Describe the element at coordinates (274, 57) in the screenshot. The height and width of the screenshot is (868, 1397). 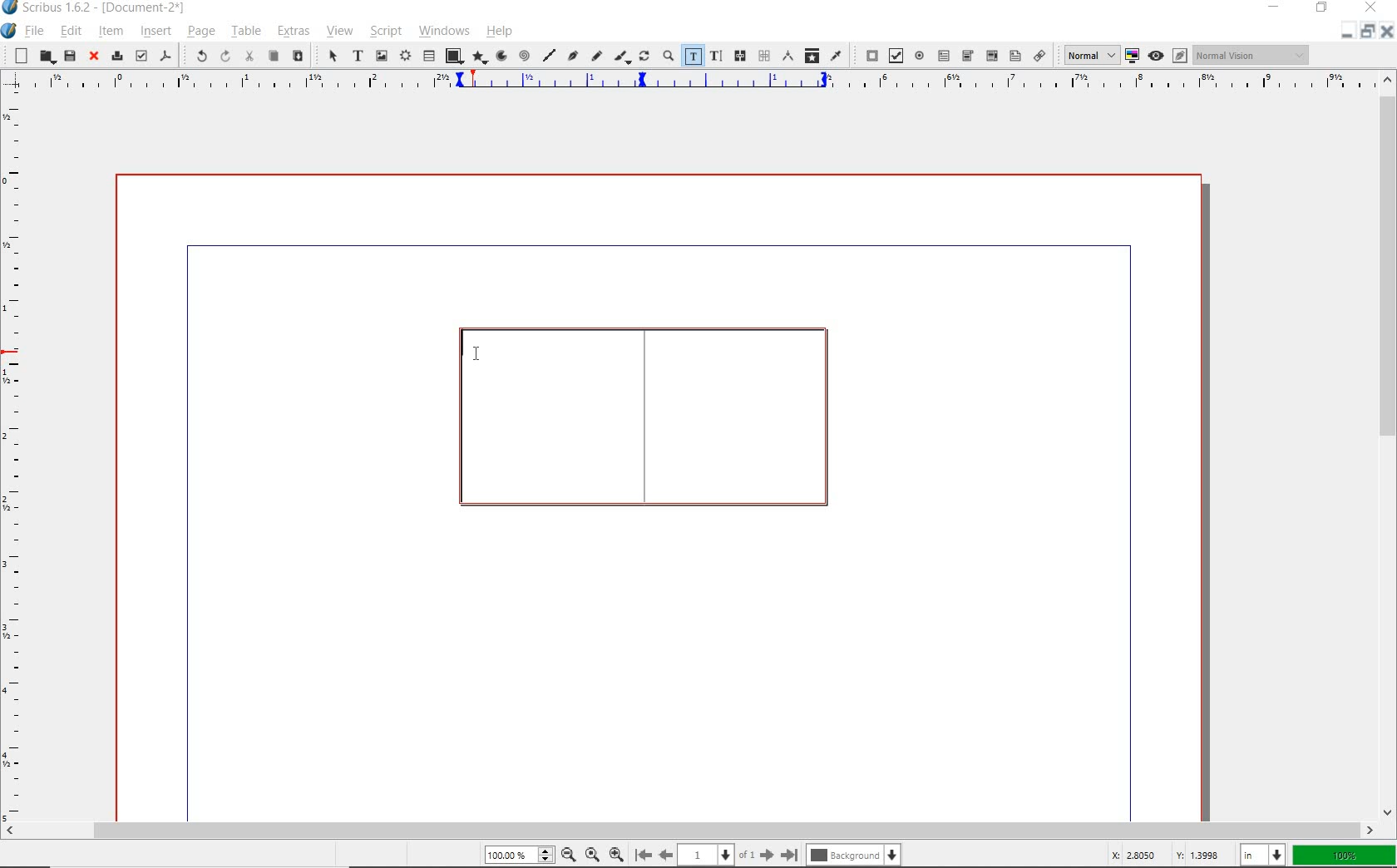
I see `copy` at that location.